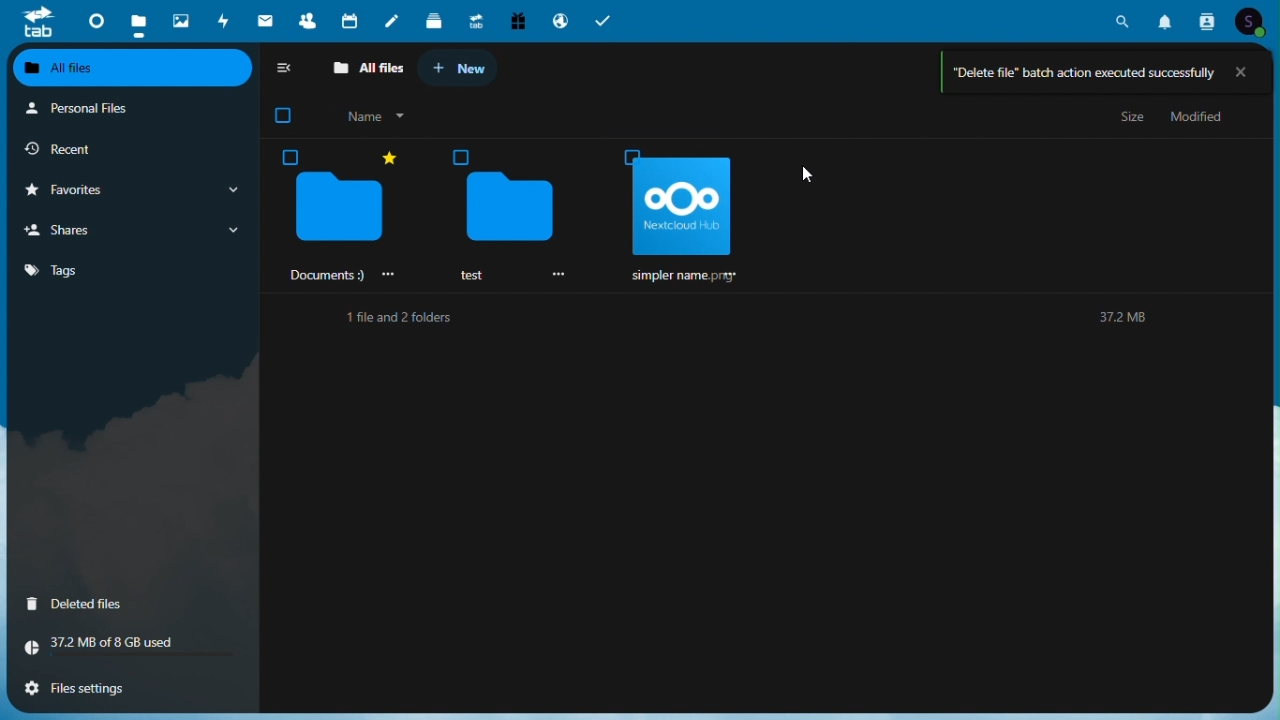  I want to click on test, so click(507, 214).